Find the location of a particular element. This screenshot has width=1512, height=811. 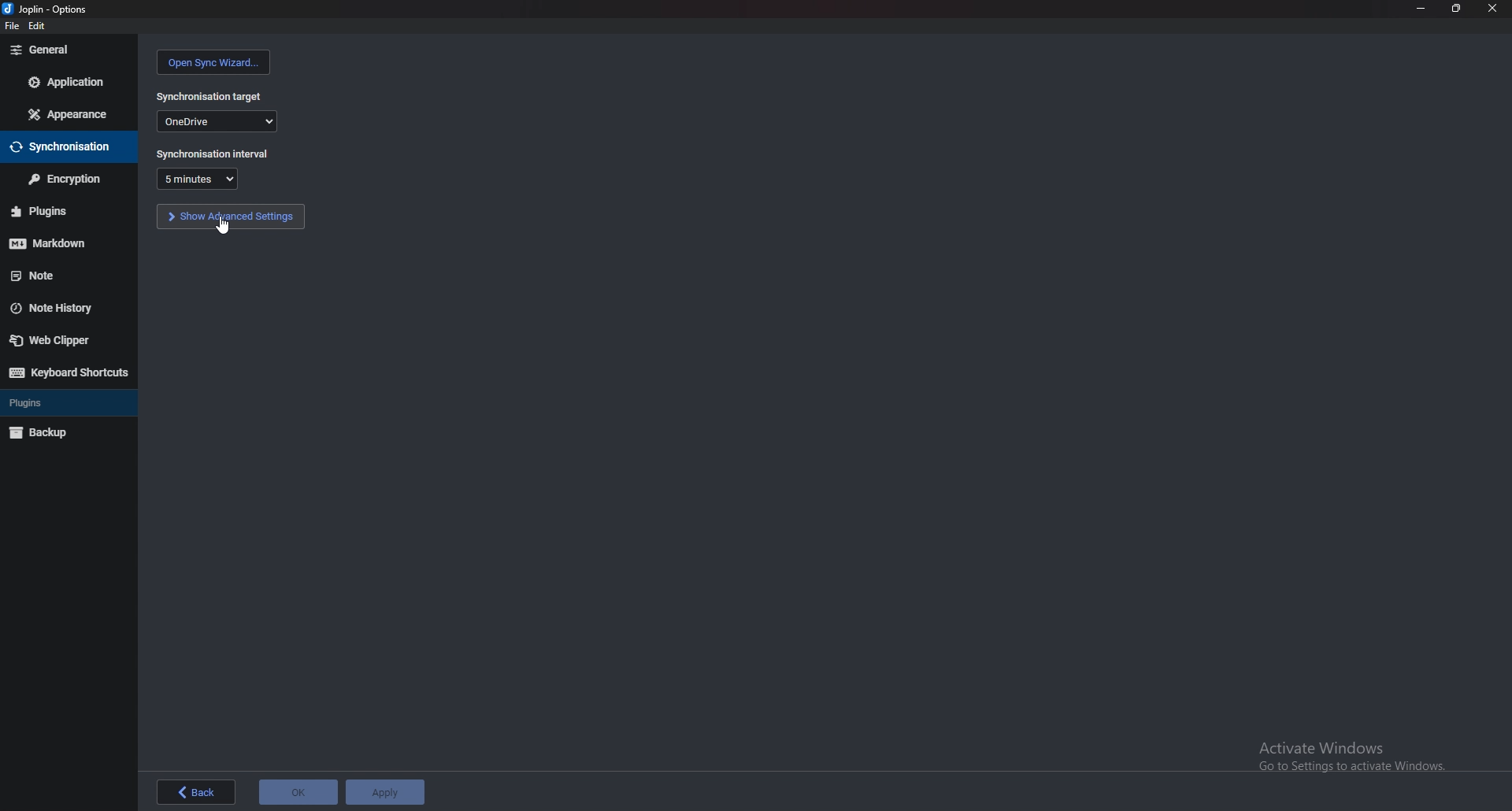

application is located at coordinates (69, 83).